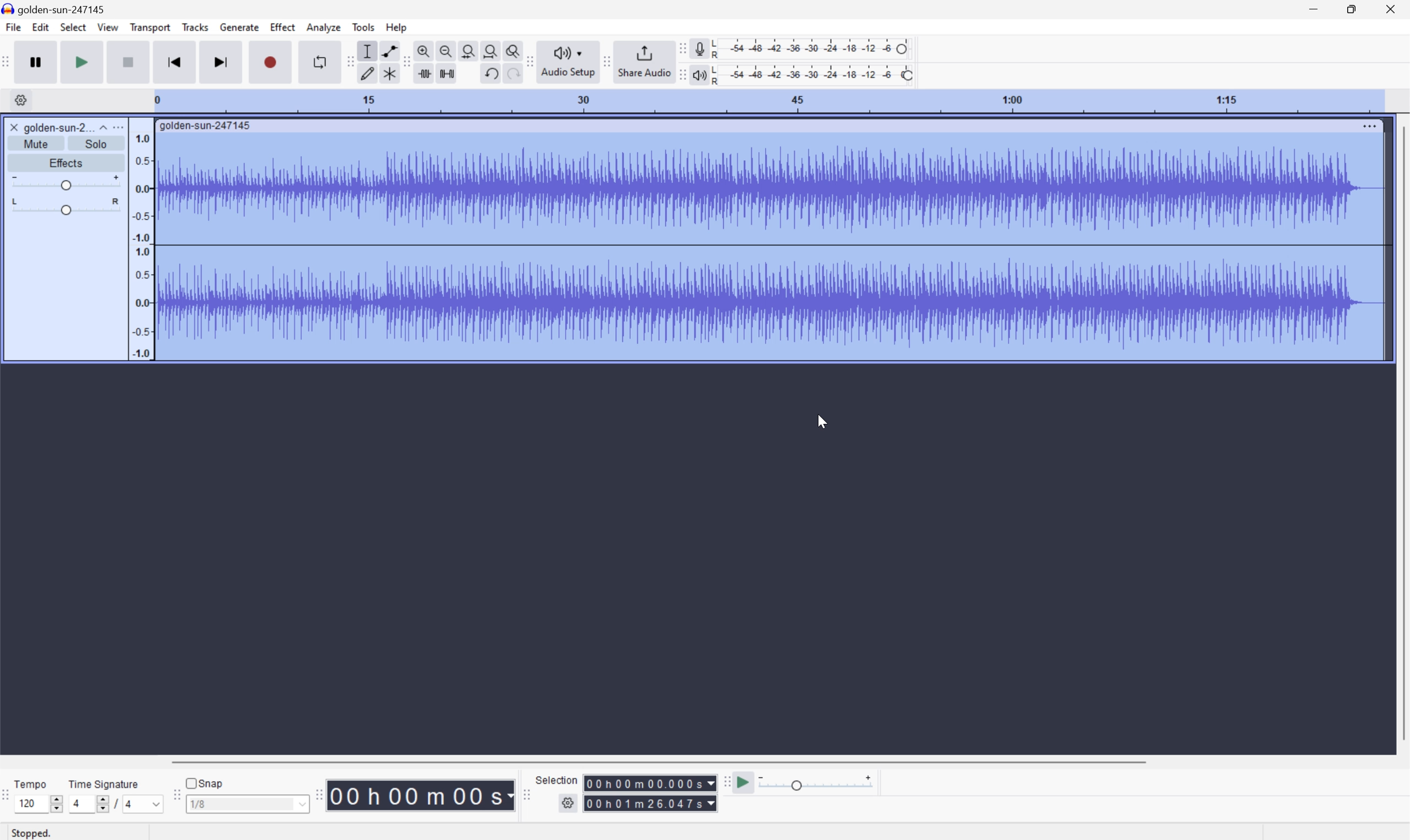 The height and width of the screenshot is (840, 1410). Describe the element at coordinates (103, 783) in the screenshot. I see `Time signature` at that location.